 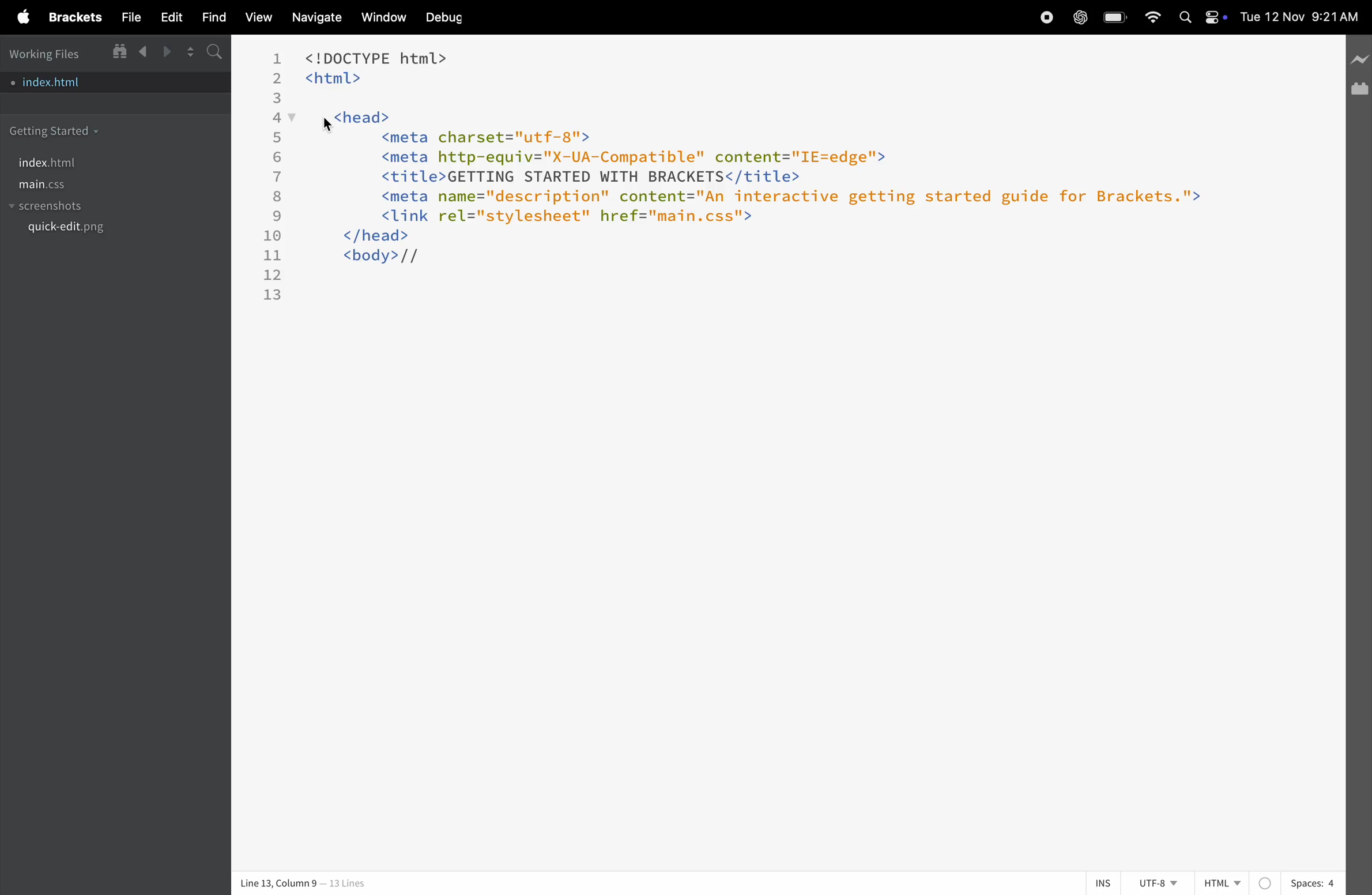 What do you see at coordinates (769, 160) in the screenshot?
I see `<!DOCTYPE html>
<html>
y <head>
<meta charset="utf-8">
<meta http-equiv="X-UA-Compatible" content="IE=edge">
<title>GETTING STARTED WITH BRACKETS</title>
<meta name="description" content="An interactive getting started guide for Brackets.">
<link rel="stylesheet" href="main.css">
</head>
<body>//` at bounding box center [769, 160].